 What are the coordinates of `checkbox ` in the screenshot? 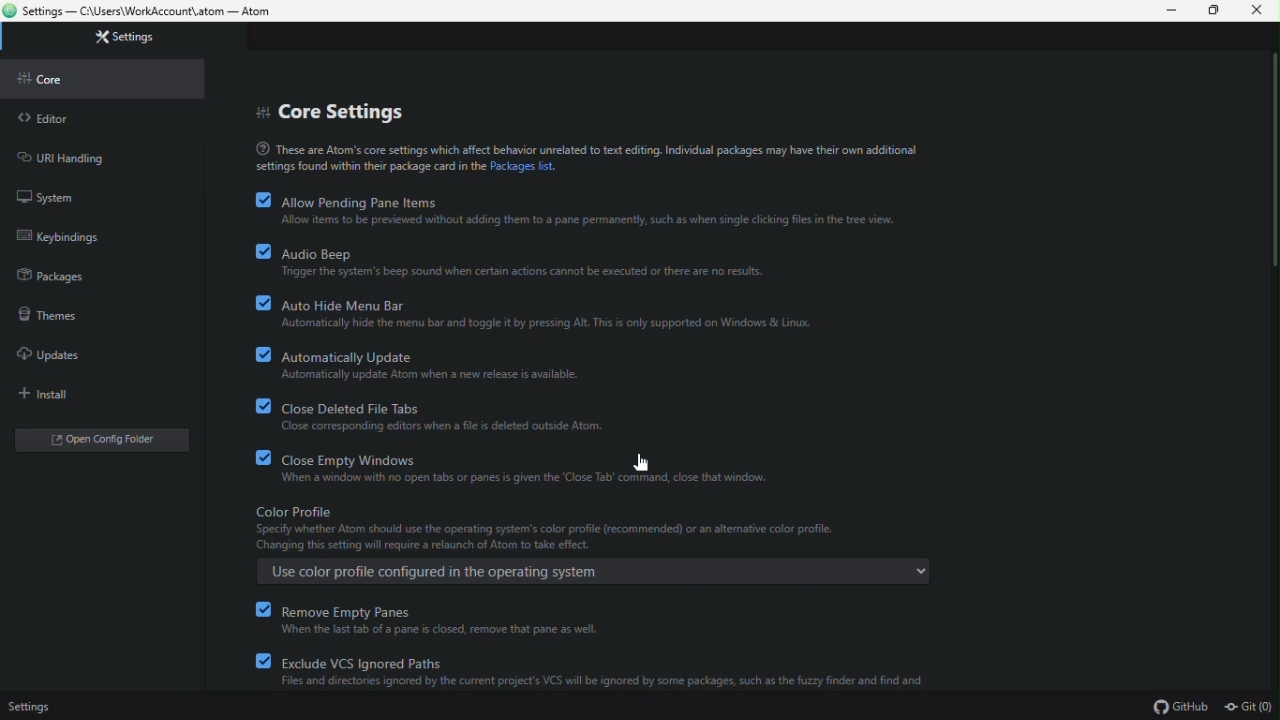 It's located at (252, 458).